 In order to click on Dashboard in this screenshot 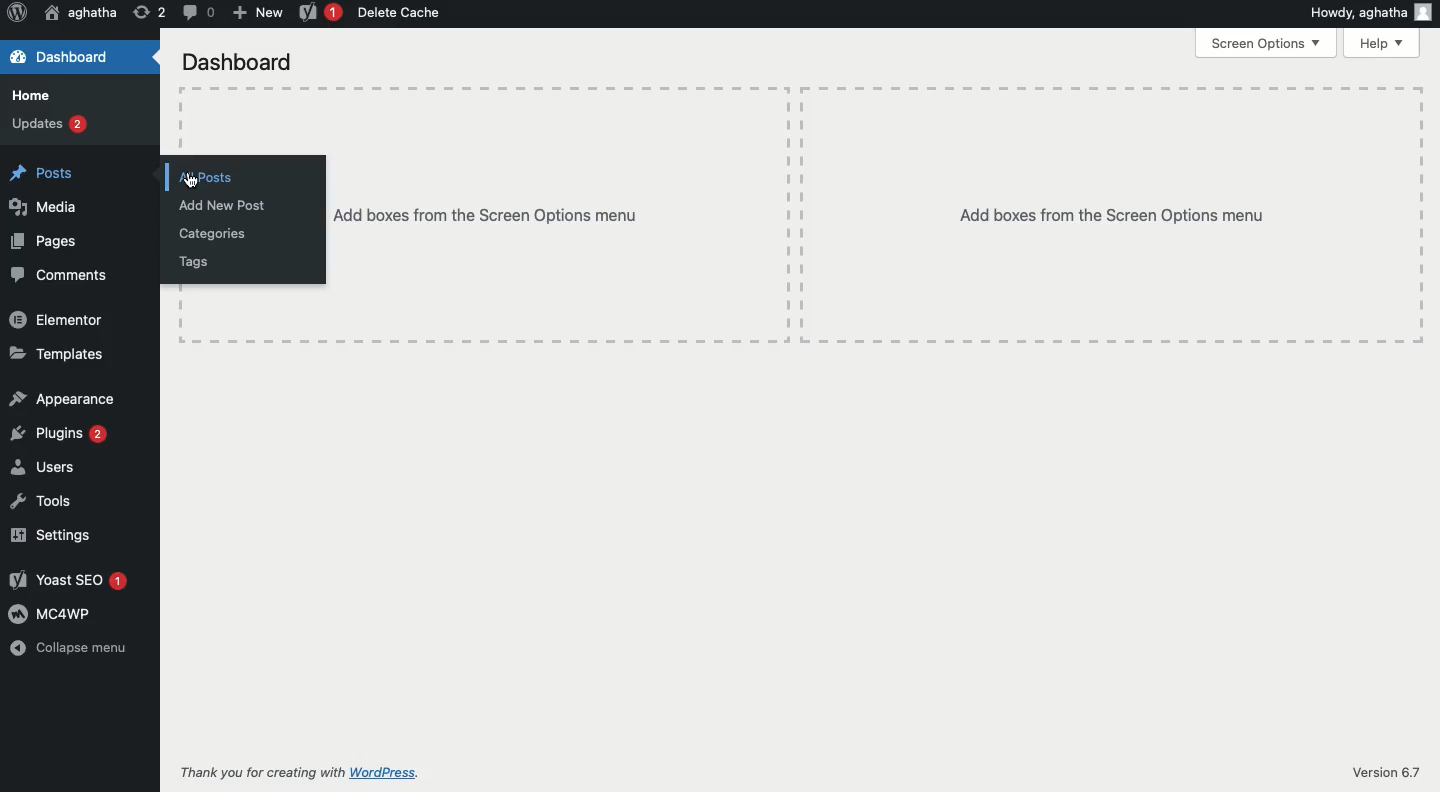, I will do `click(80, 56)`.